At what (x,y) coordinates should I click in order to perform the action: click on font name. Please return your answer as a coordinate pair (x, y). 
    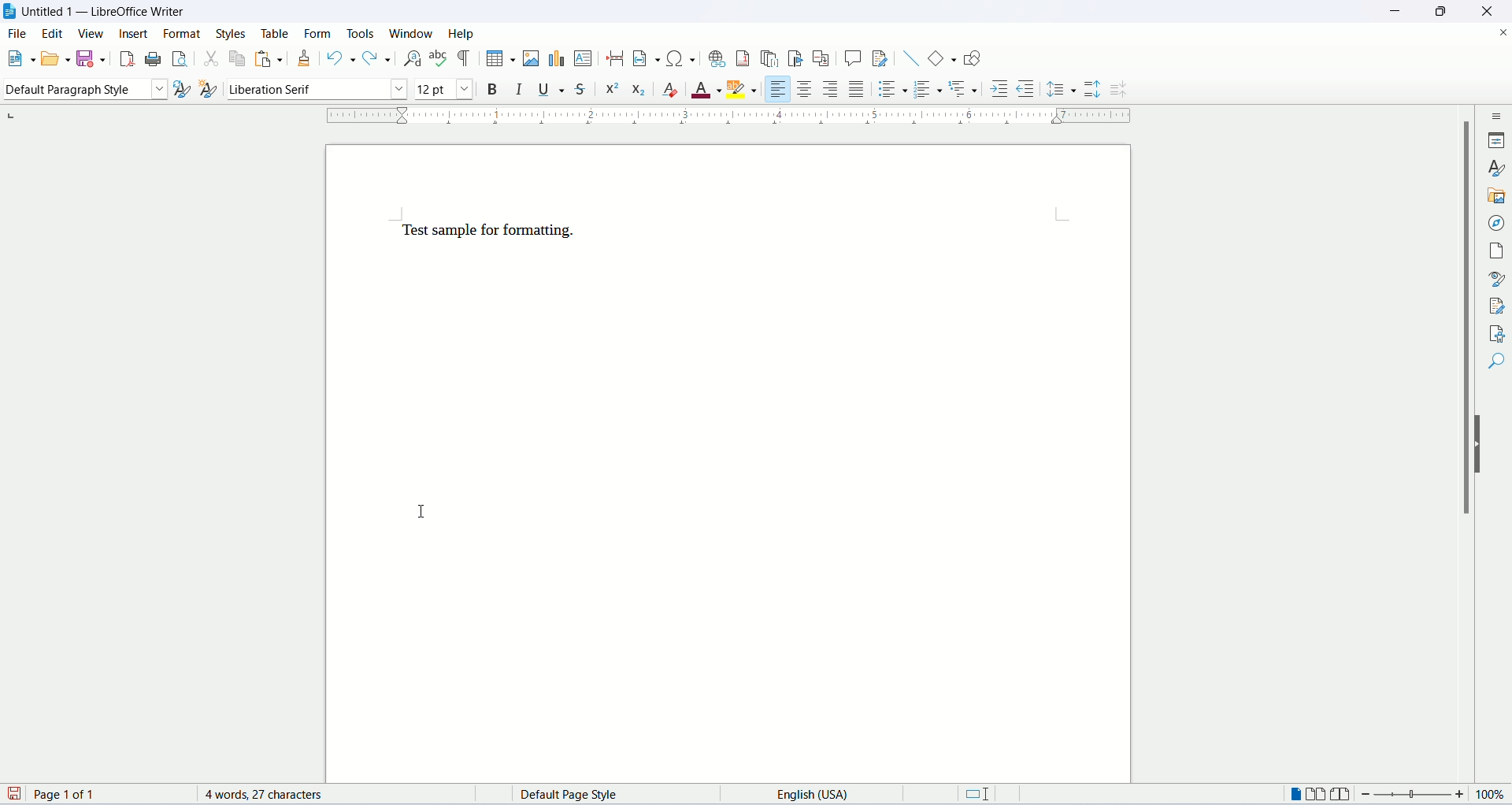
    Looking at the image, I should click on (316, 88).